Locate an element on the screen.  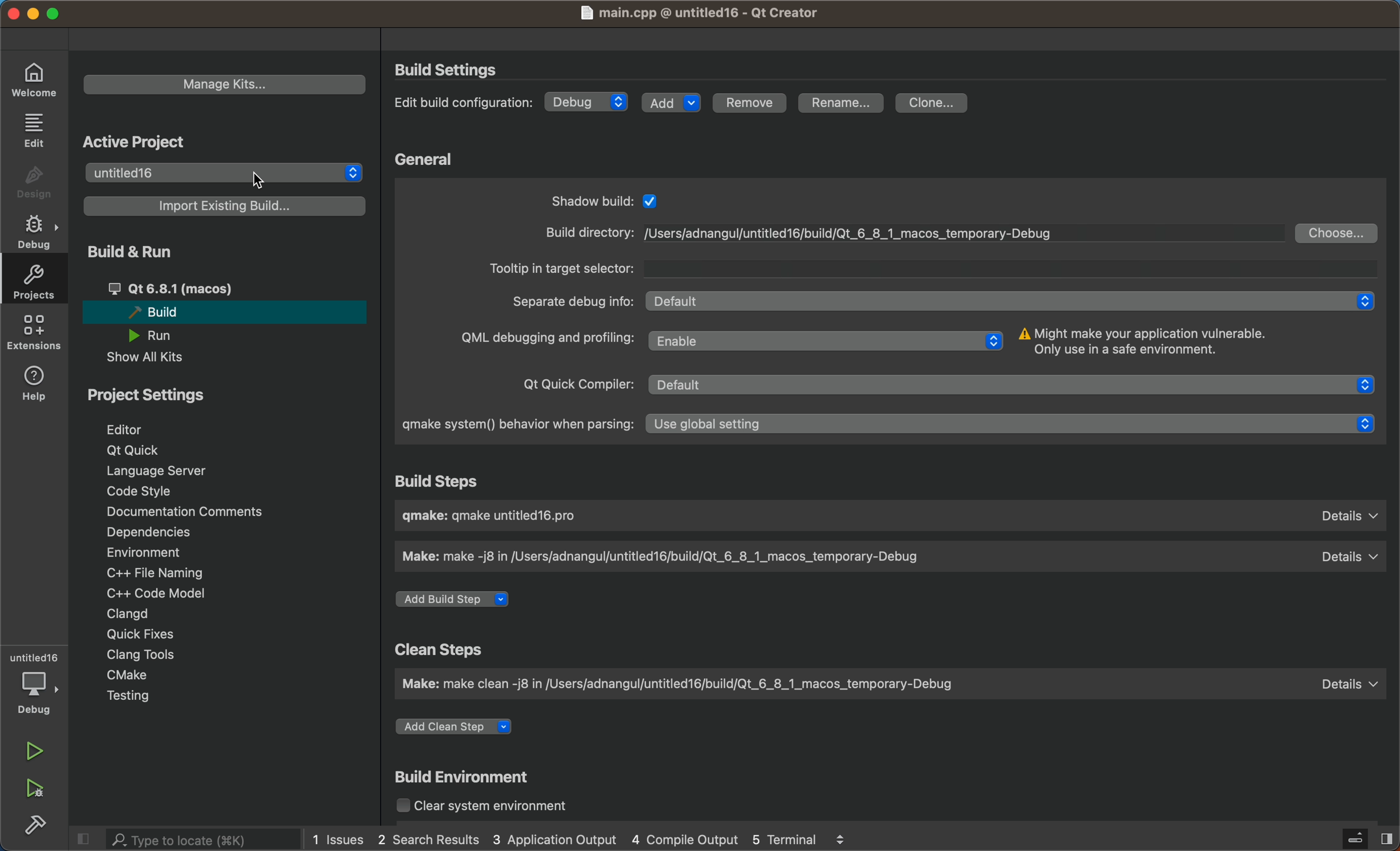
build steps is located at coordinates (438, 480).